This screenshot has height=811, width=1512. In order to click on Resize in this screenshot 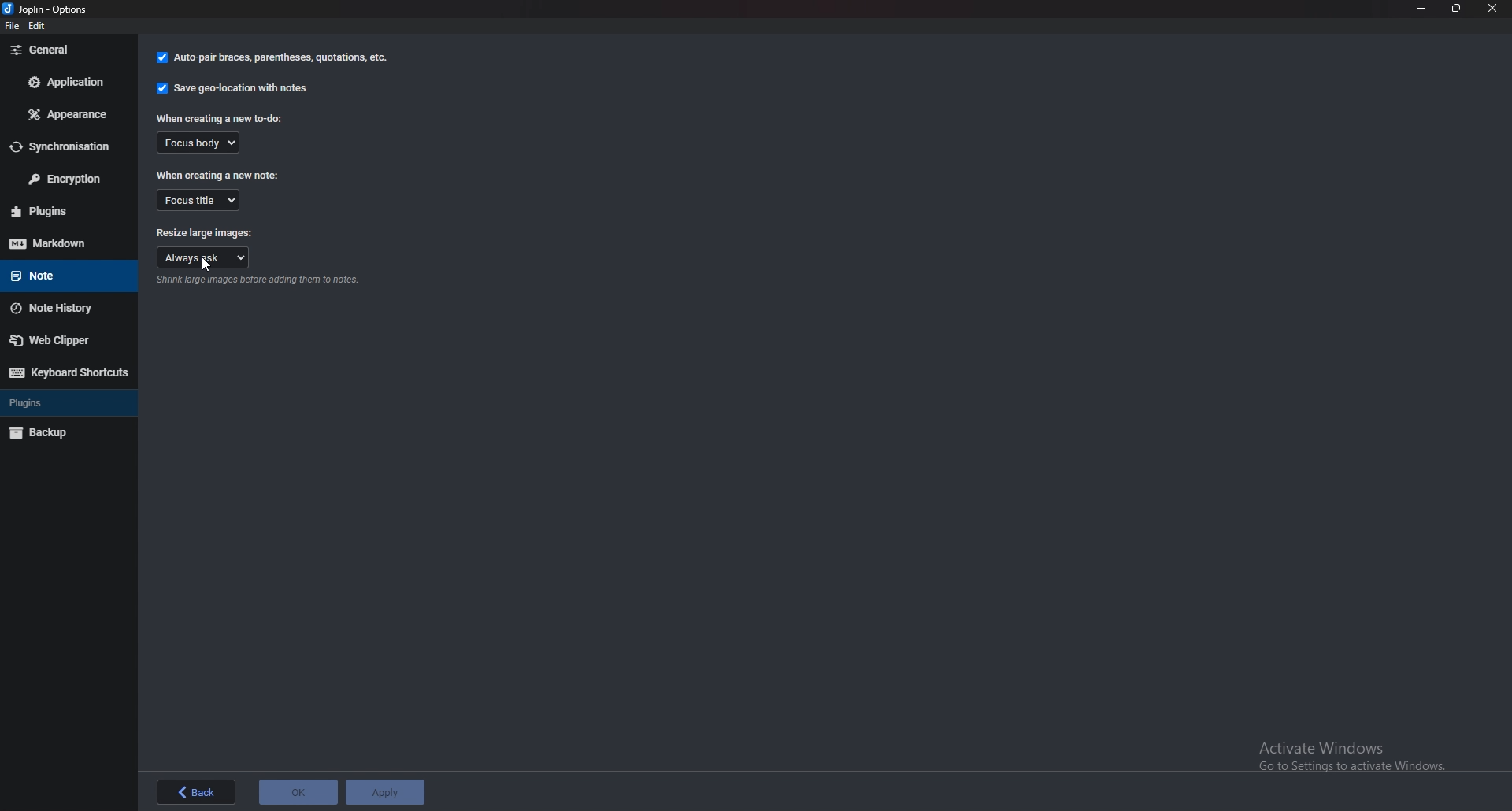, I will do `click(1456, 9)`.